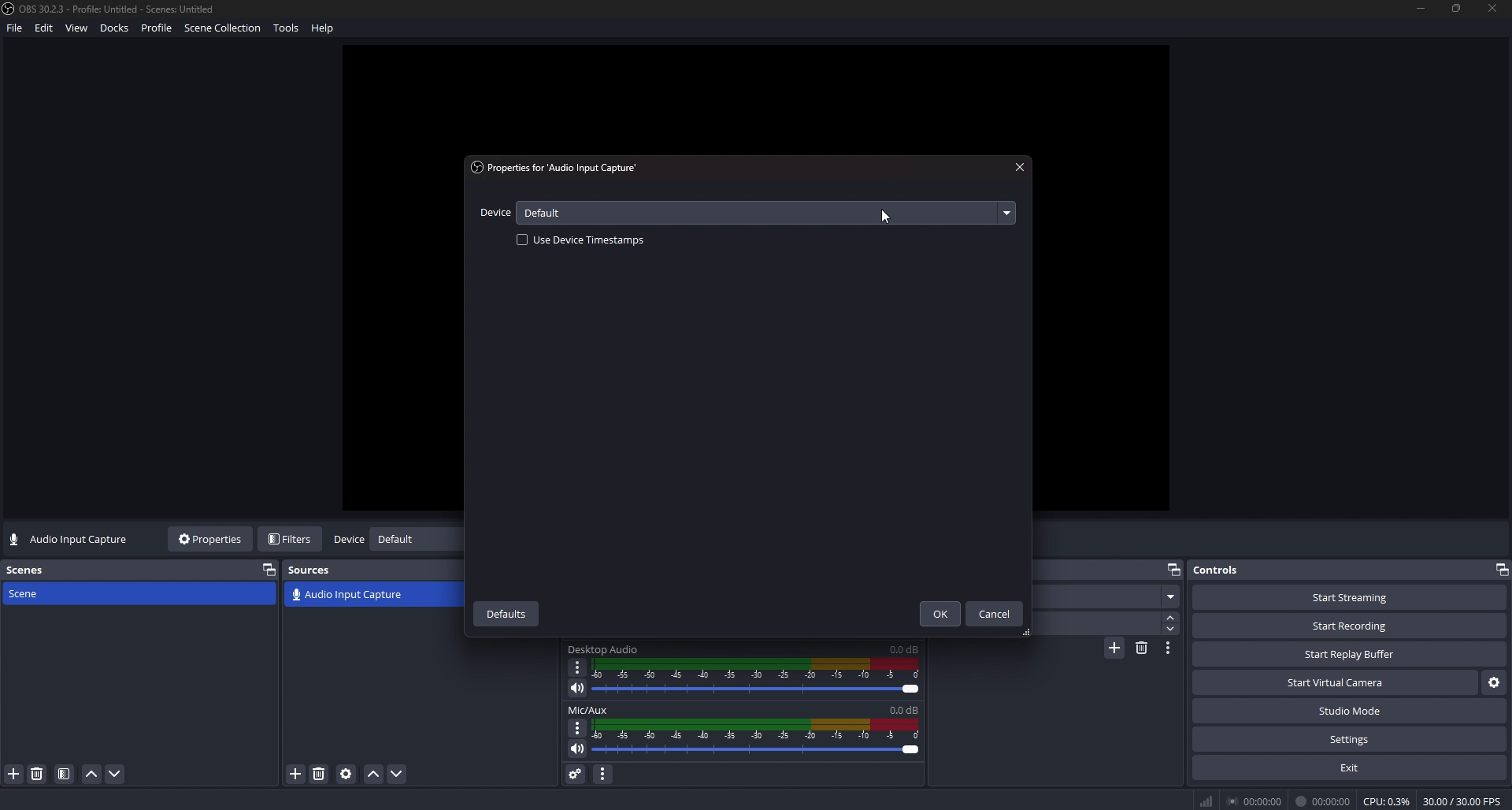 The width and height of the screenshot is (1512, 810). I want to click on device, so click(348, 541).